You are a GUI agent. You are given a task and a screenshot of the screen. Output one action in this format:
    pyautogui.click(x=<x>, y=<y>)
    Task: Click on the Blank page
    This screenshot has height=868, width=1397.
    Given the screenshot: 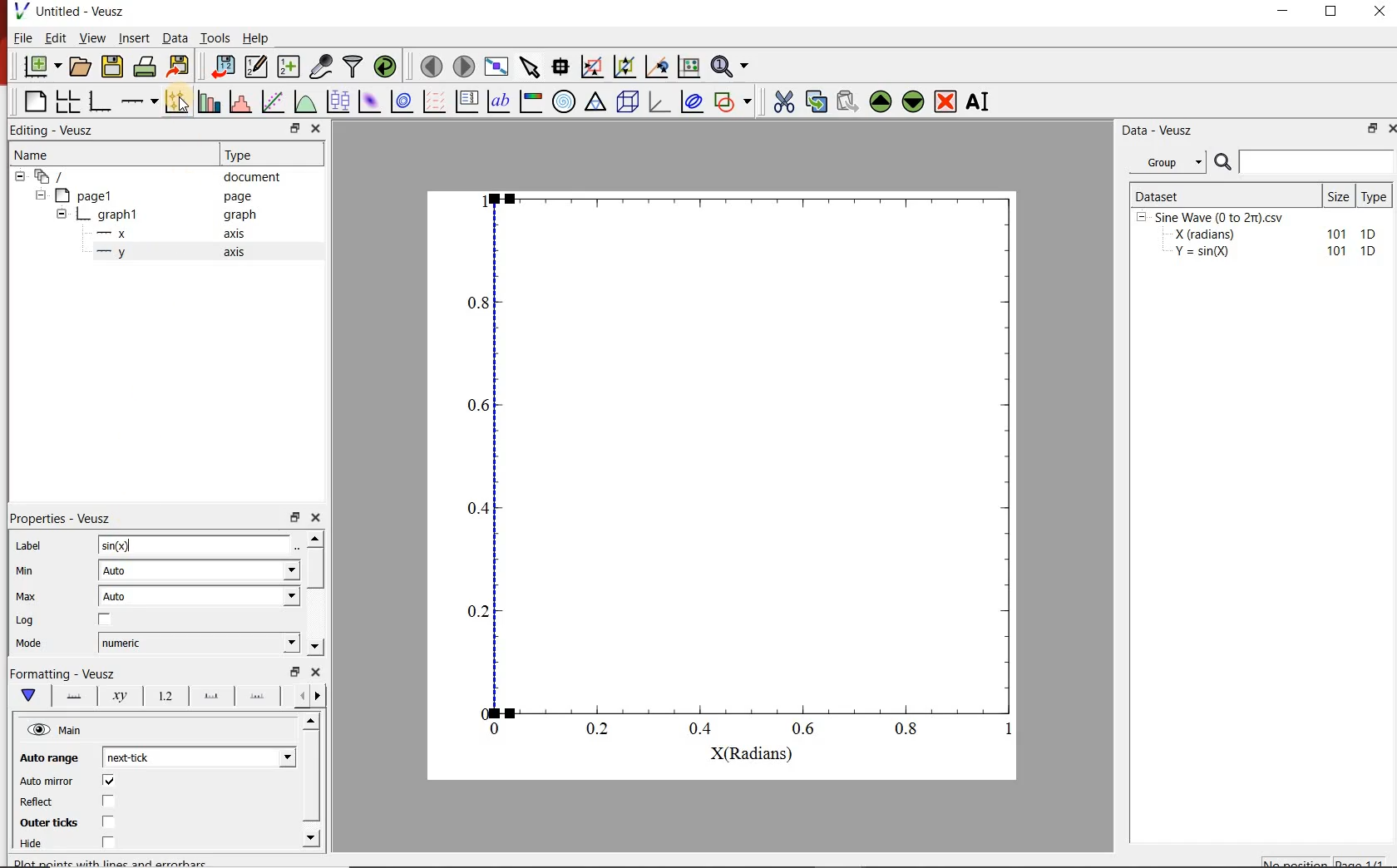 What is the action you would take?
    pyautogui.click(x=35, y=101)
    